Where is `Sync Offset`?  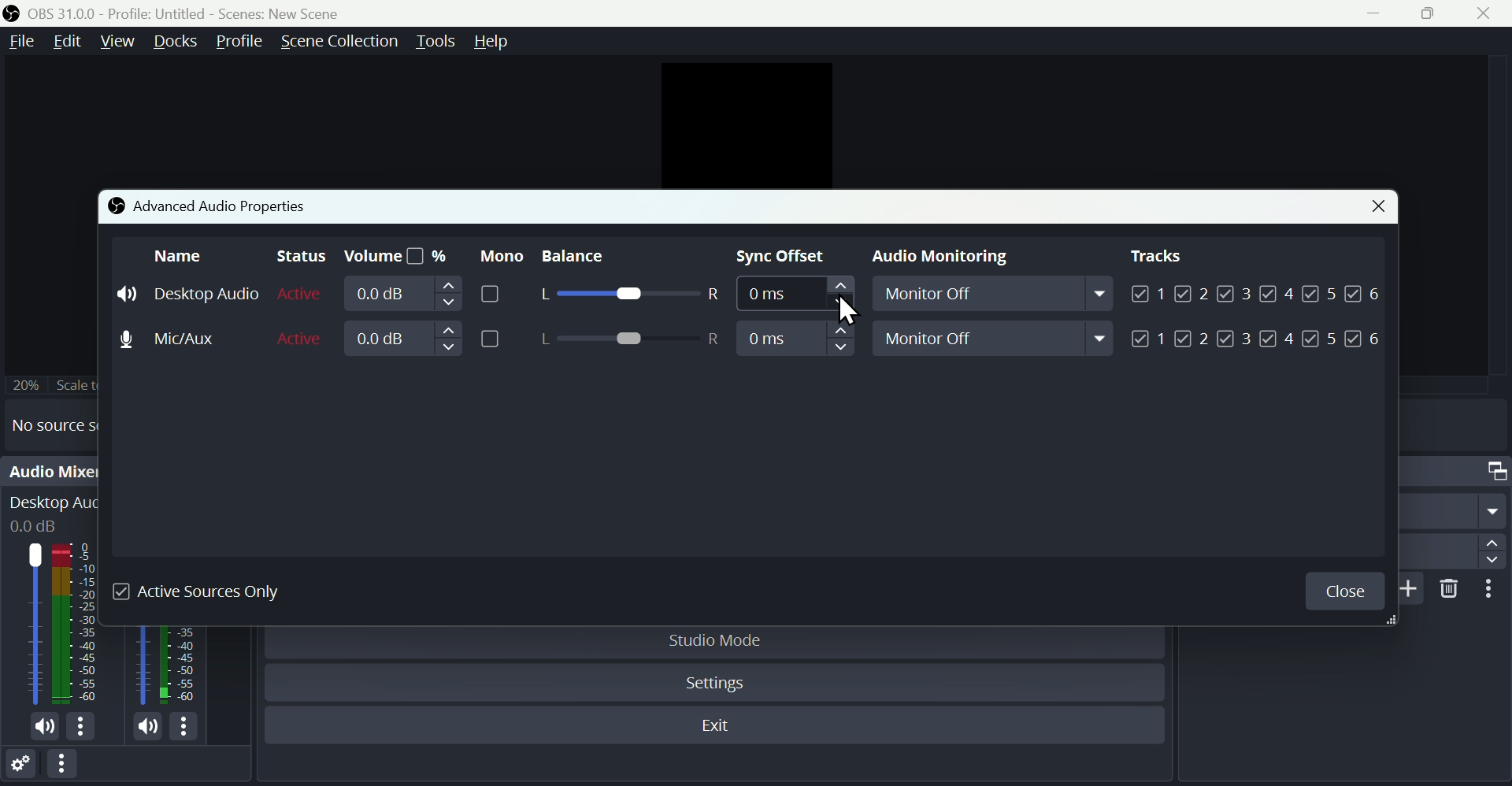
Sync Offset is located at coordinates (795, 339).